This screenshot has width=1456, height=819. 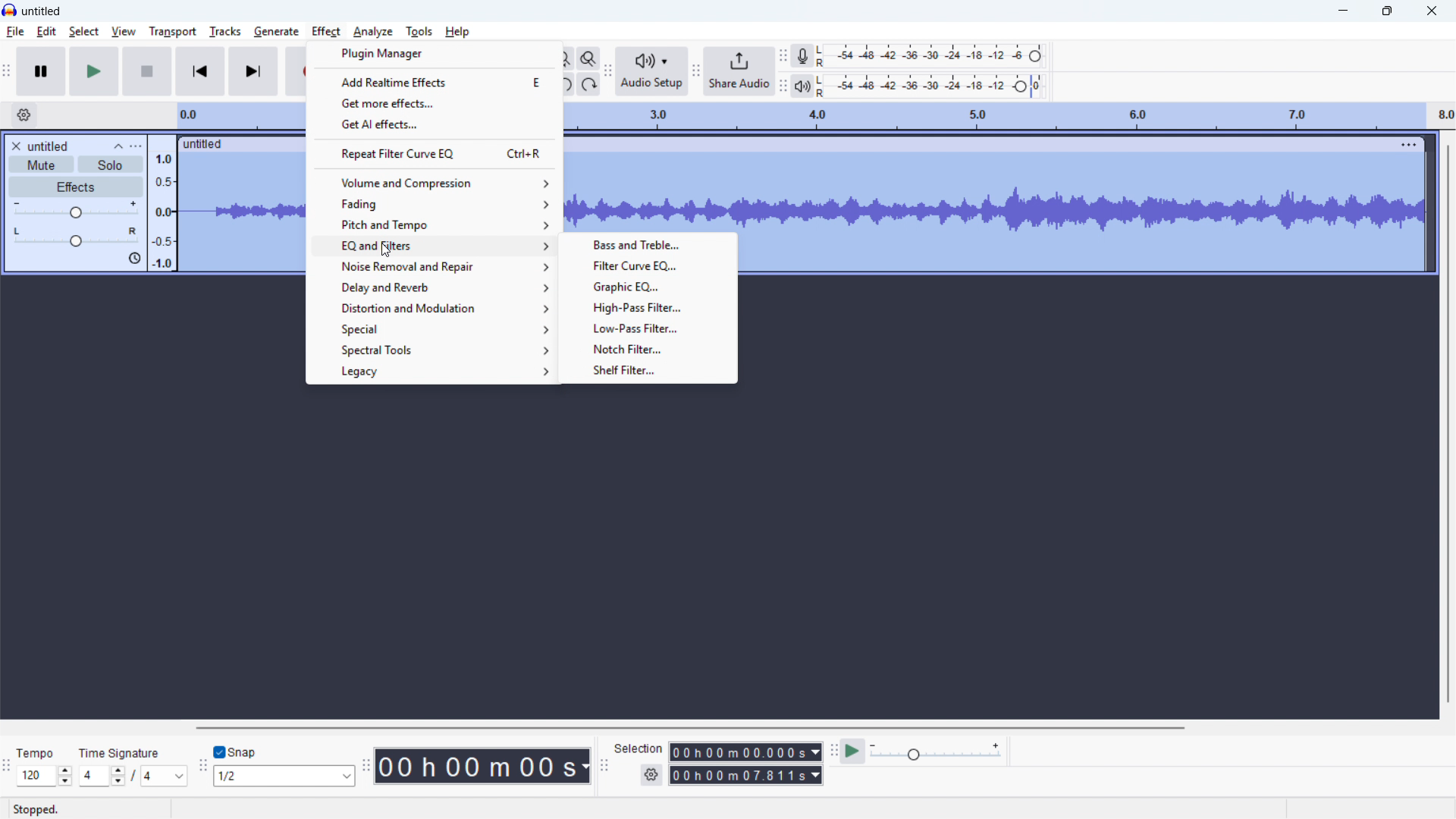 What do you see at coordinates (162, 203) in the screenshot?
I see `amplitude` at bounding box center [162, 203].